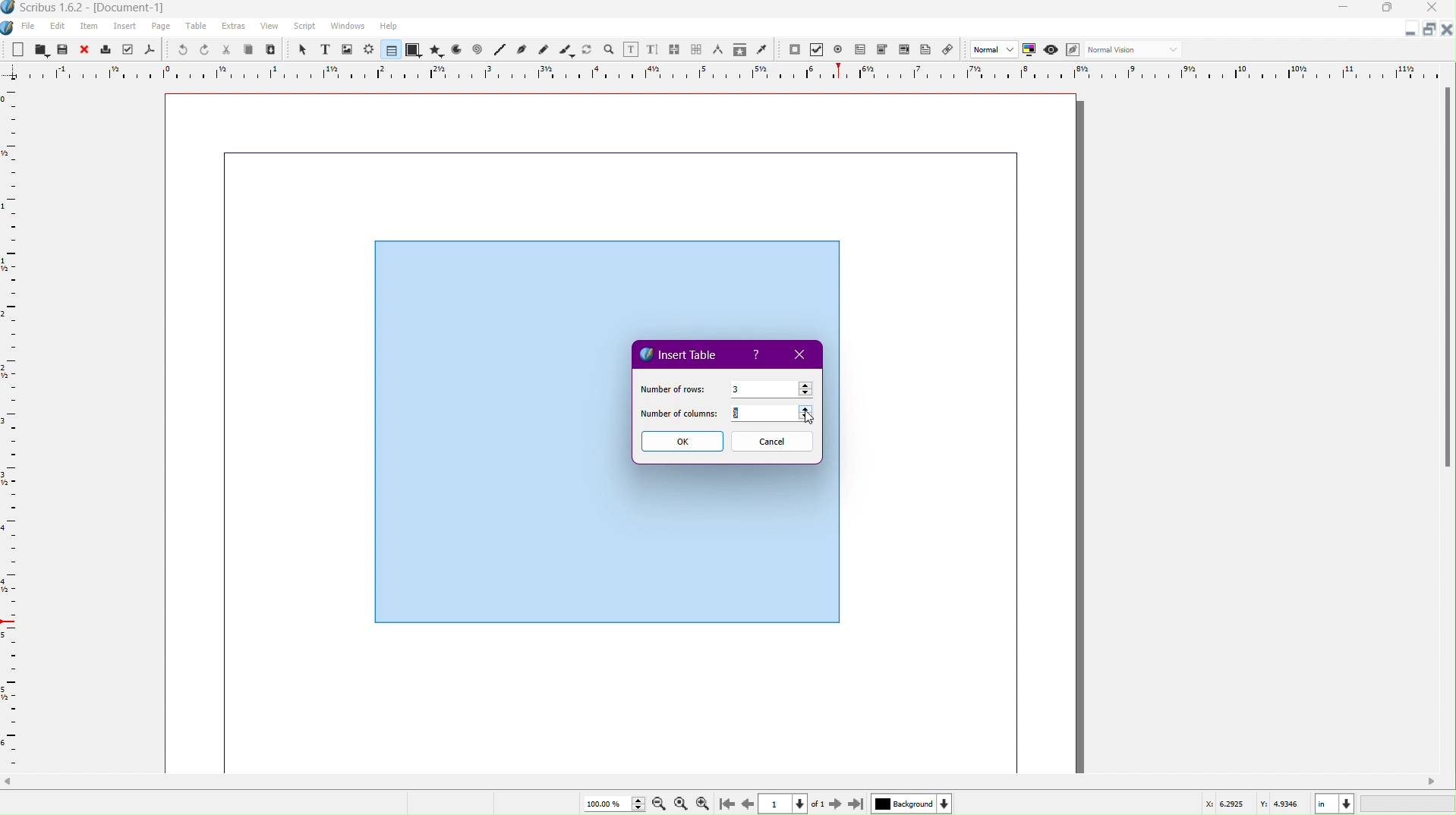  What do you see at coordinates (149, 50) in the screenshot?
I see `Save as PDF` at bounding box center [149, 50].